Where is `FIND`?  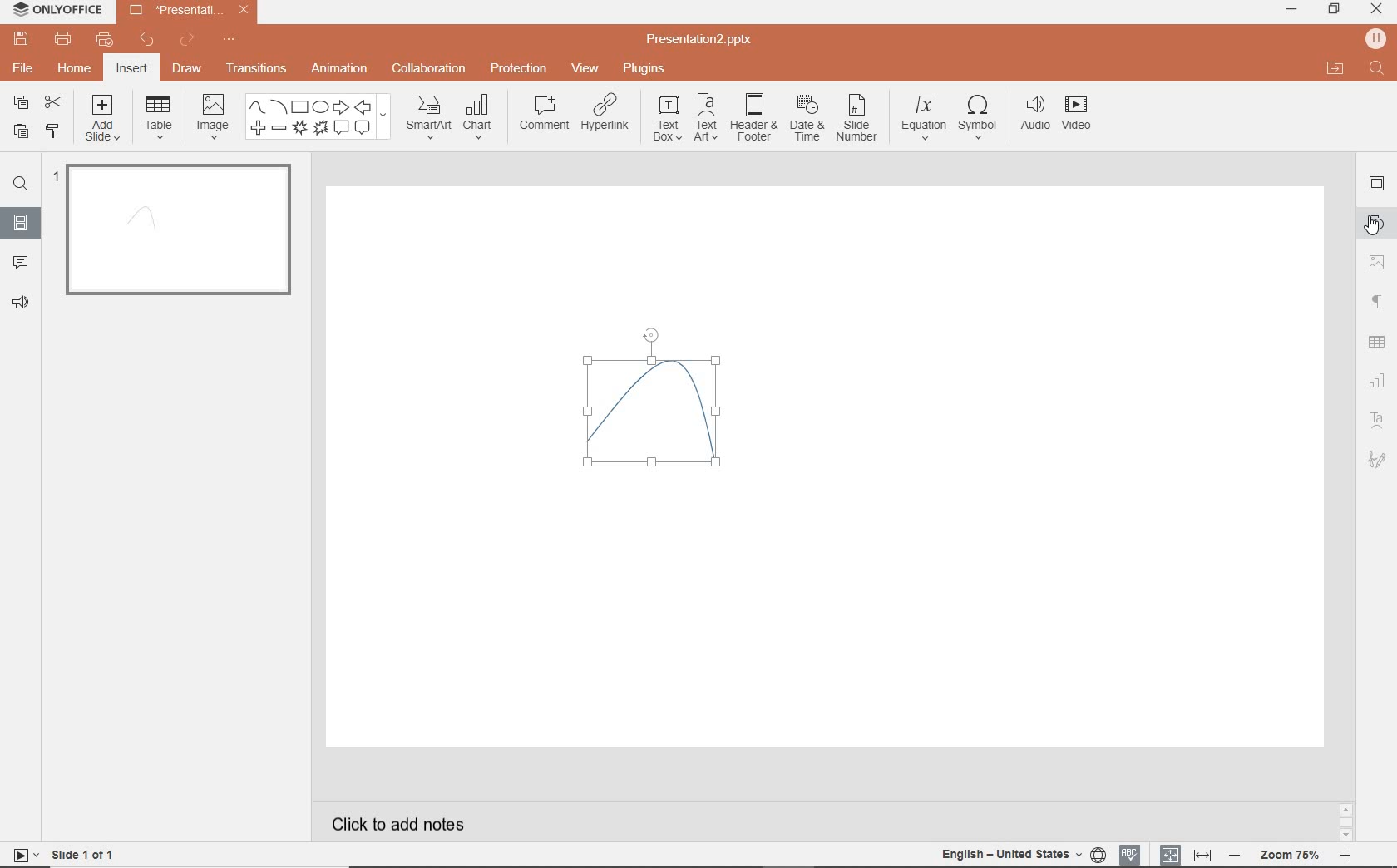
FIND is located at coordinates (1376, 69).